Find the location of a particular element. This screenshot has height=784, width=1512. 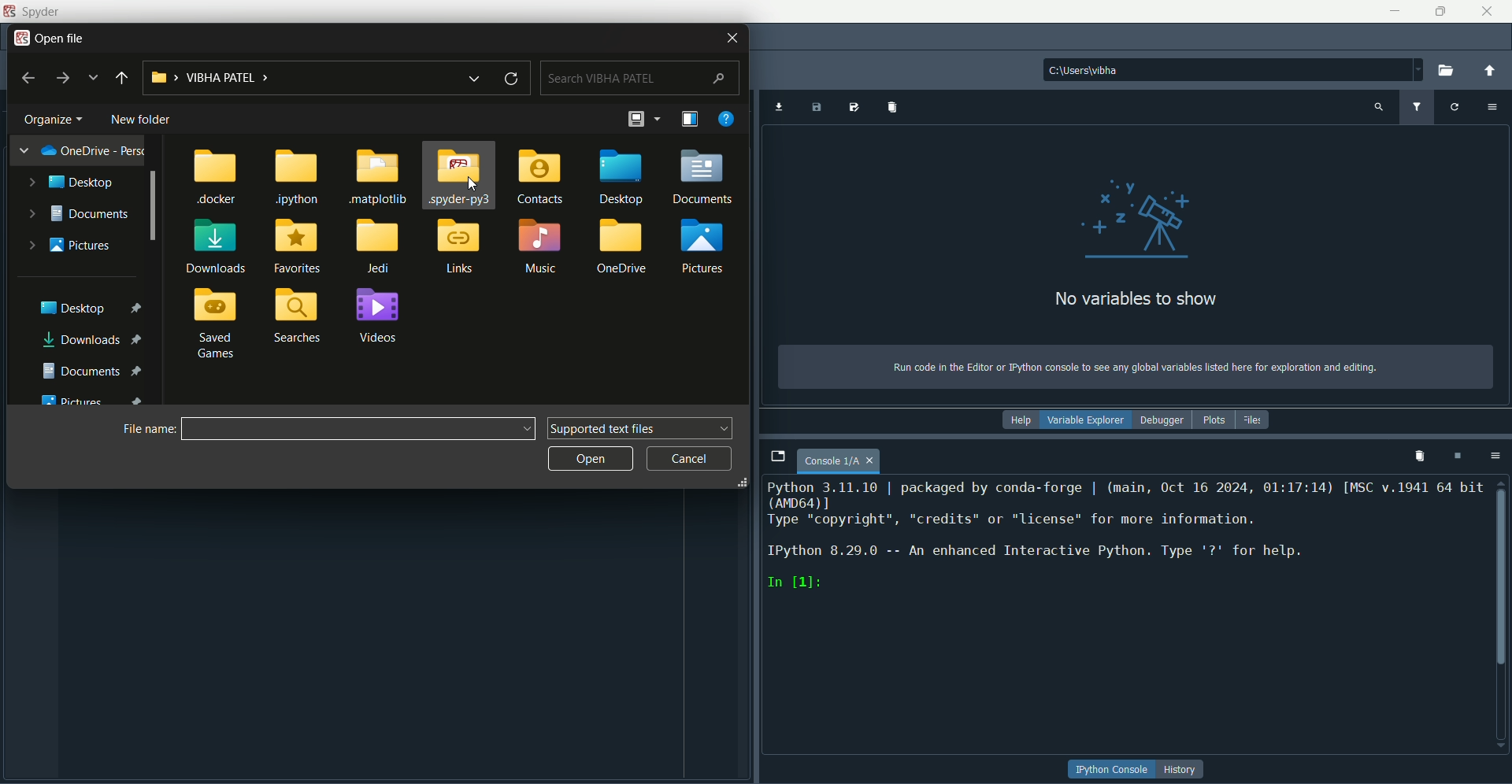

text is located at coordinates (1133, 368).